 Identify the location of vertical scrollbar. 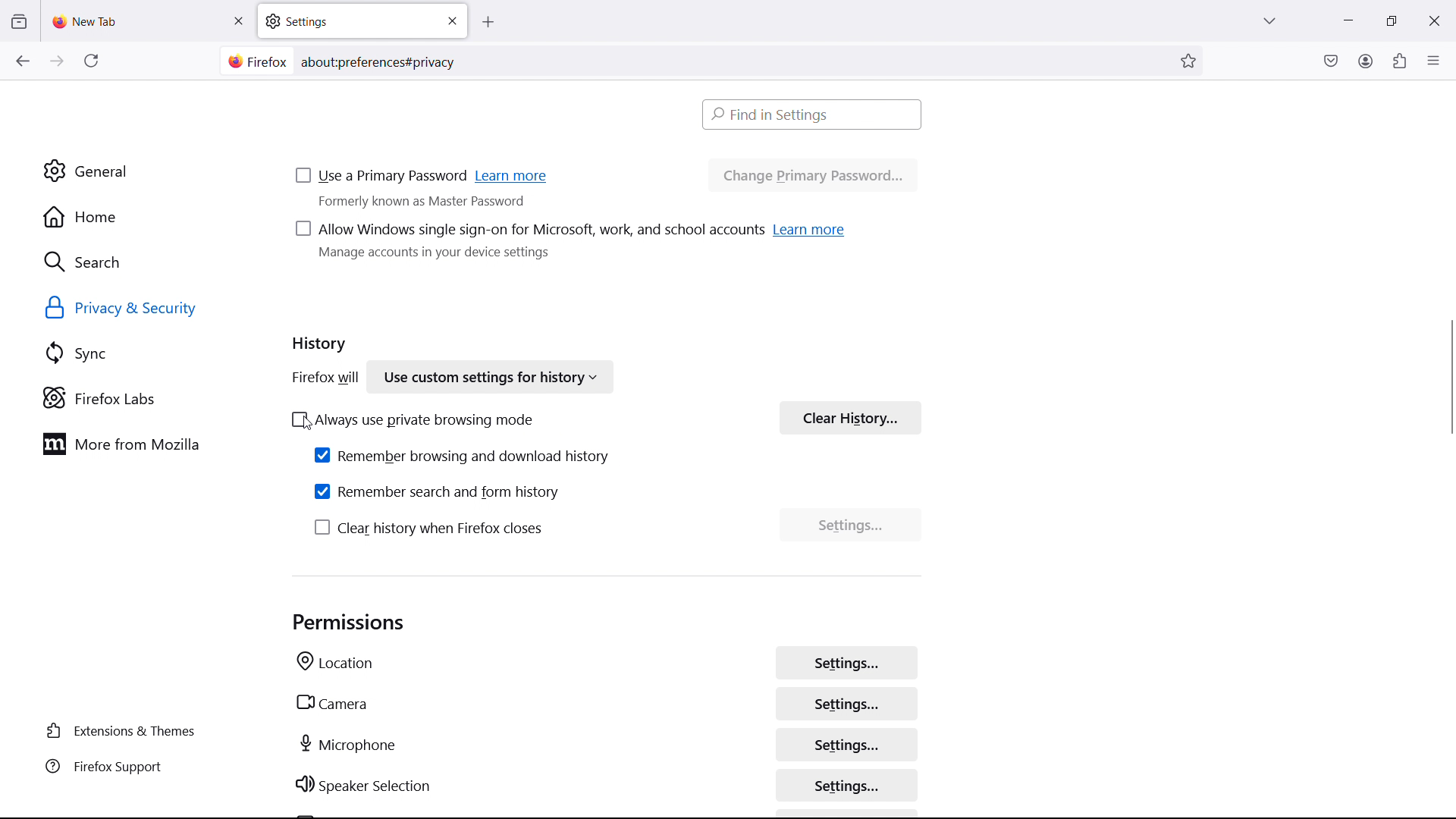
(1447, 378).